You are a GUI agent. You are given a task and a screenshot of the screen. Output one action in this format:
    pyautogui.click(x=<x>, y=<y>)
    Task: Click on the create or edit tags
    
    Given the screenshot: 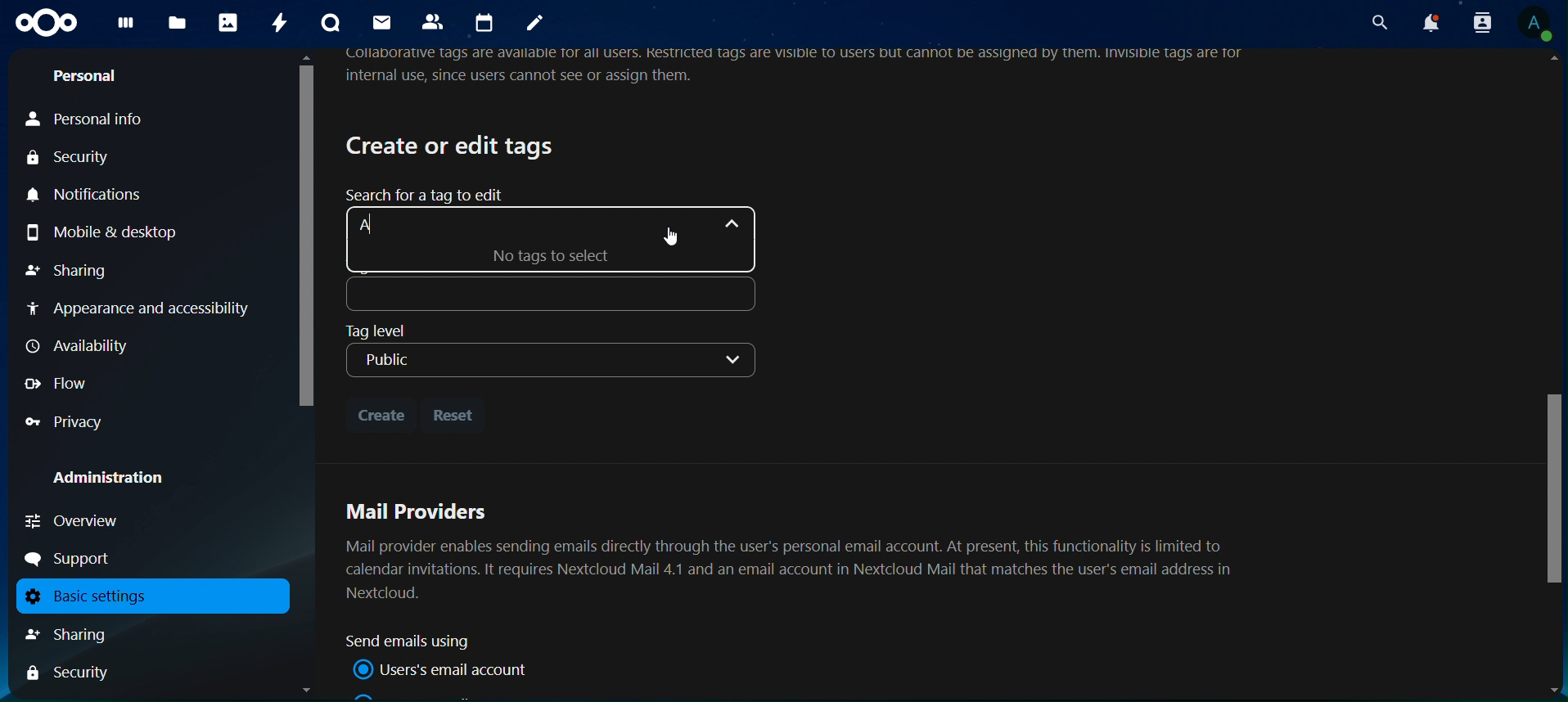 What is the action you would take?
    pyautogui.click(x=453, y=145)
    